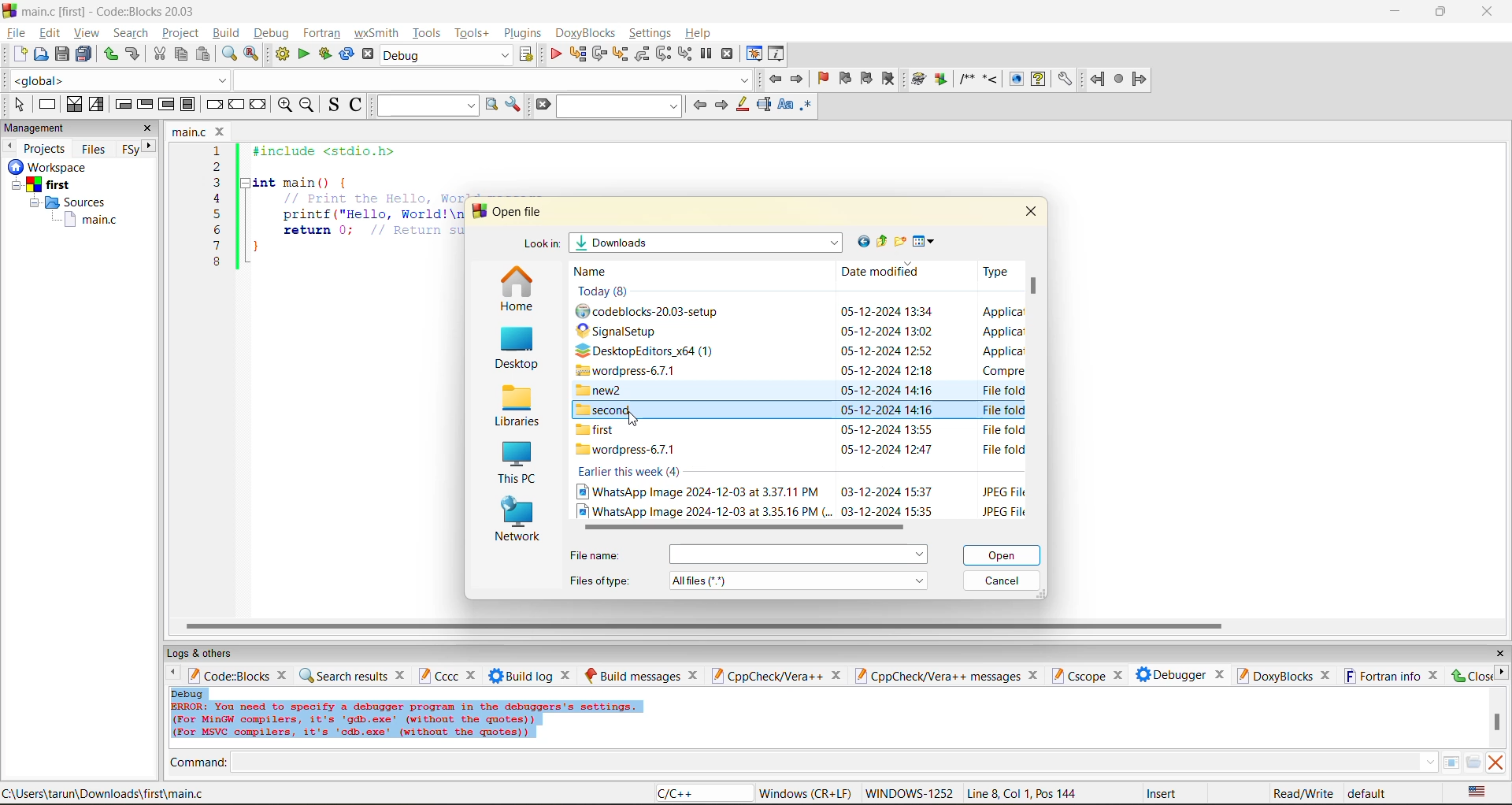 The height and width of the screenshot is (805, 1512). What do you see at coordinates (651, 33) in the screenshot?
I see `settings` at bounding box center [651, 33].